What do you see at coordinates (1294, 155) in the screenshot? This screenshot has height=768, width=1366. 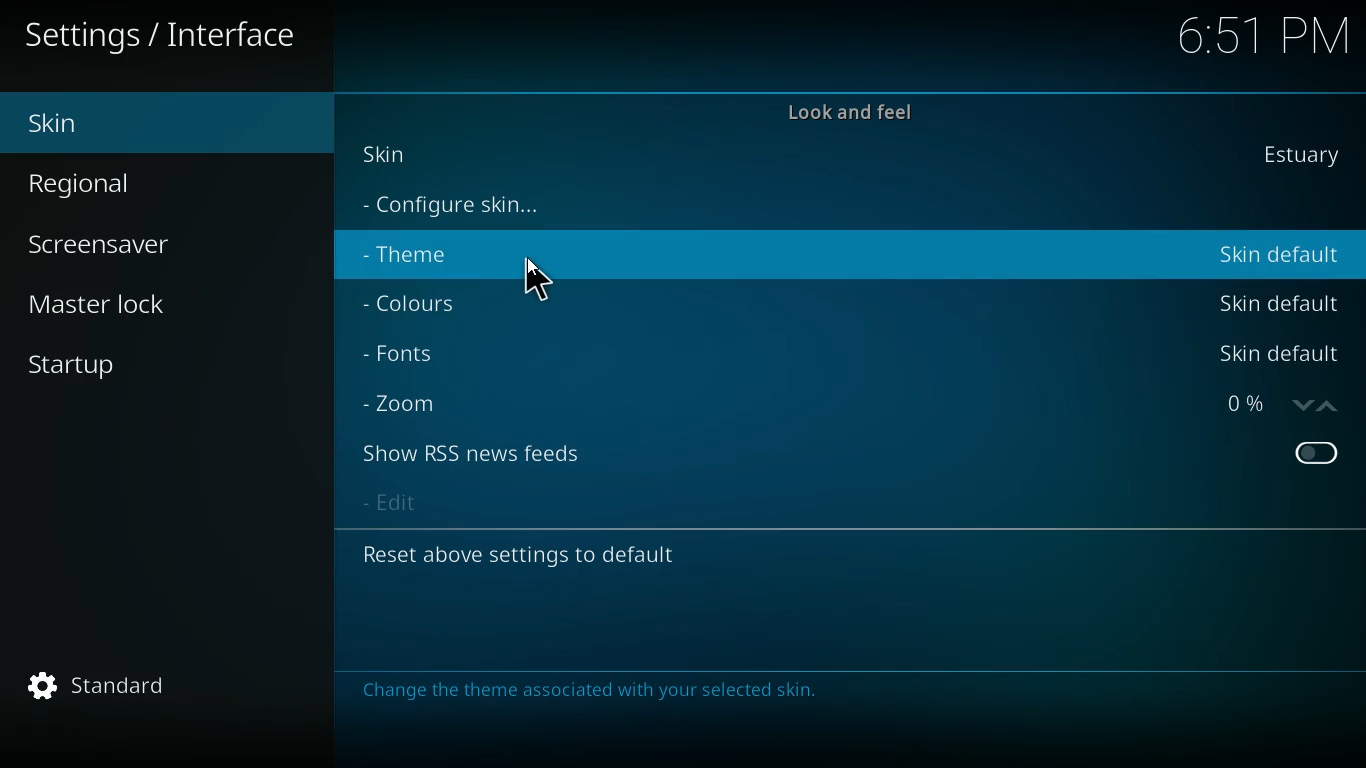 I see `estuary` at bounding box center [1294, 155].